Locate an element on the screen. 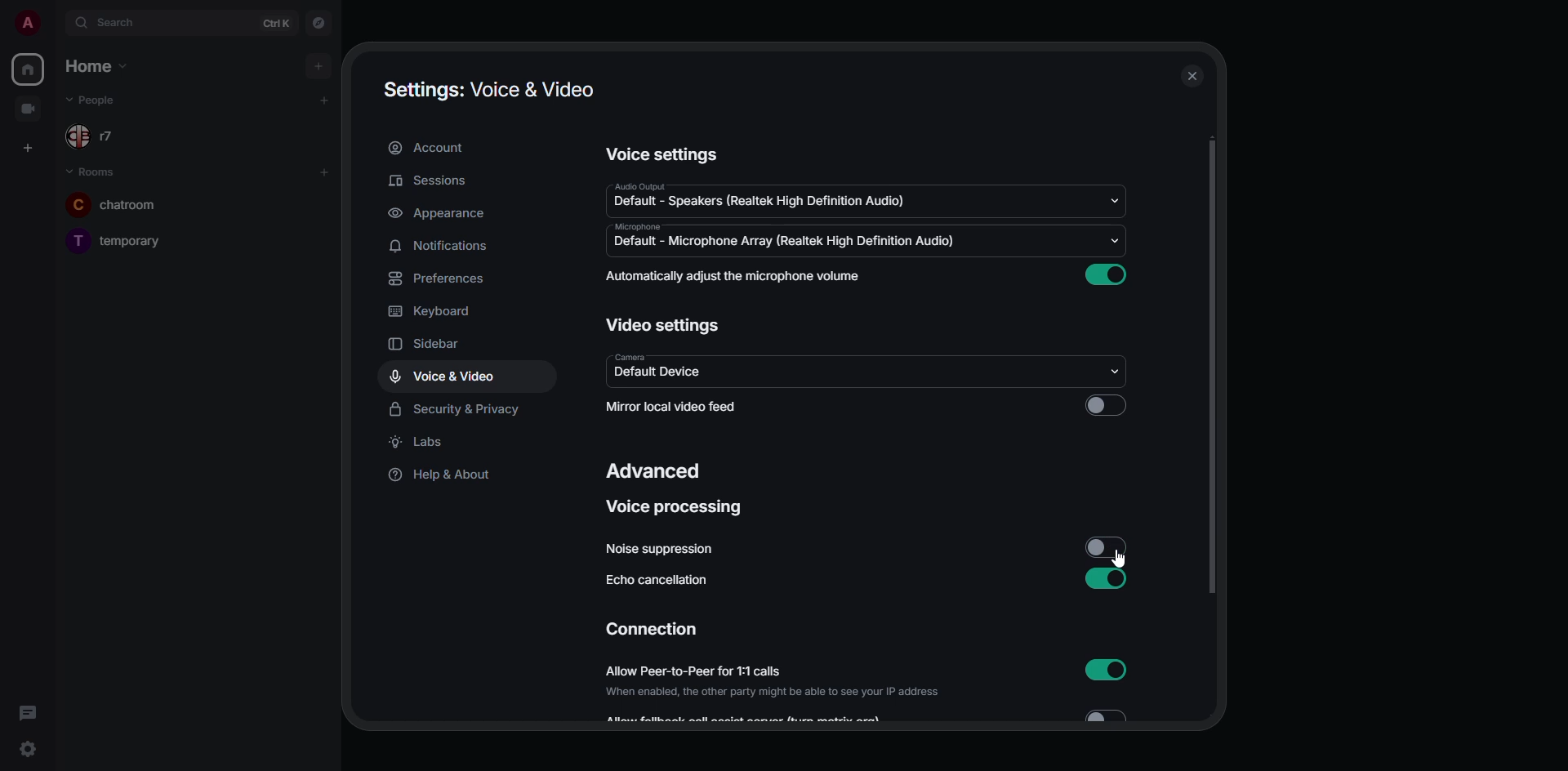 The width and height of the screenshot is (1568, 771). keyboard is located at coordinates (436, 310).